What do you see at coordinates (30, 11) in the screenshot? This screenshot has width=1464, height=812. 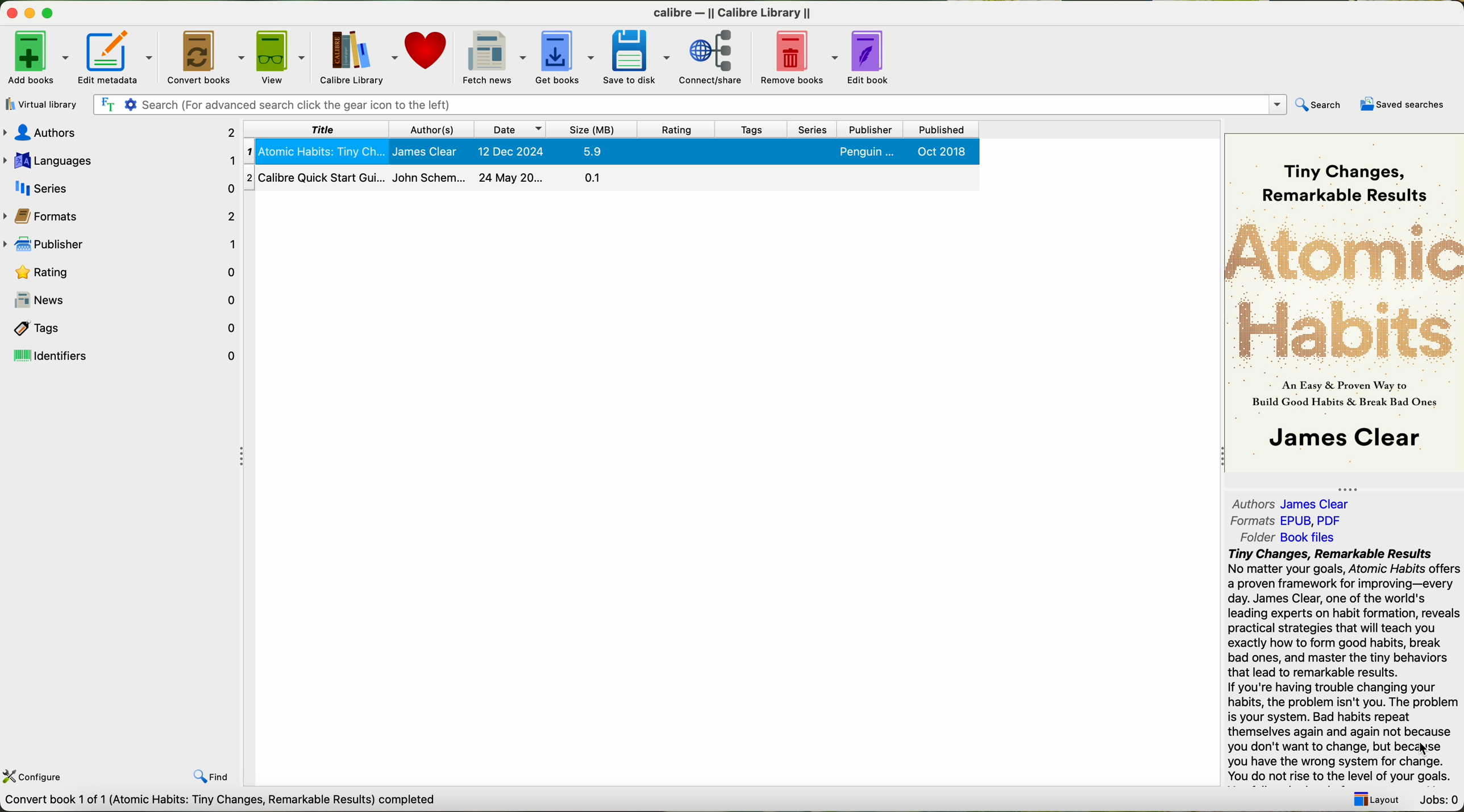 I see `minimize` at bounding box center [30, 11].